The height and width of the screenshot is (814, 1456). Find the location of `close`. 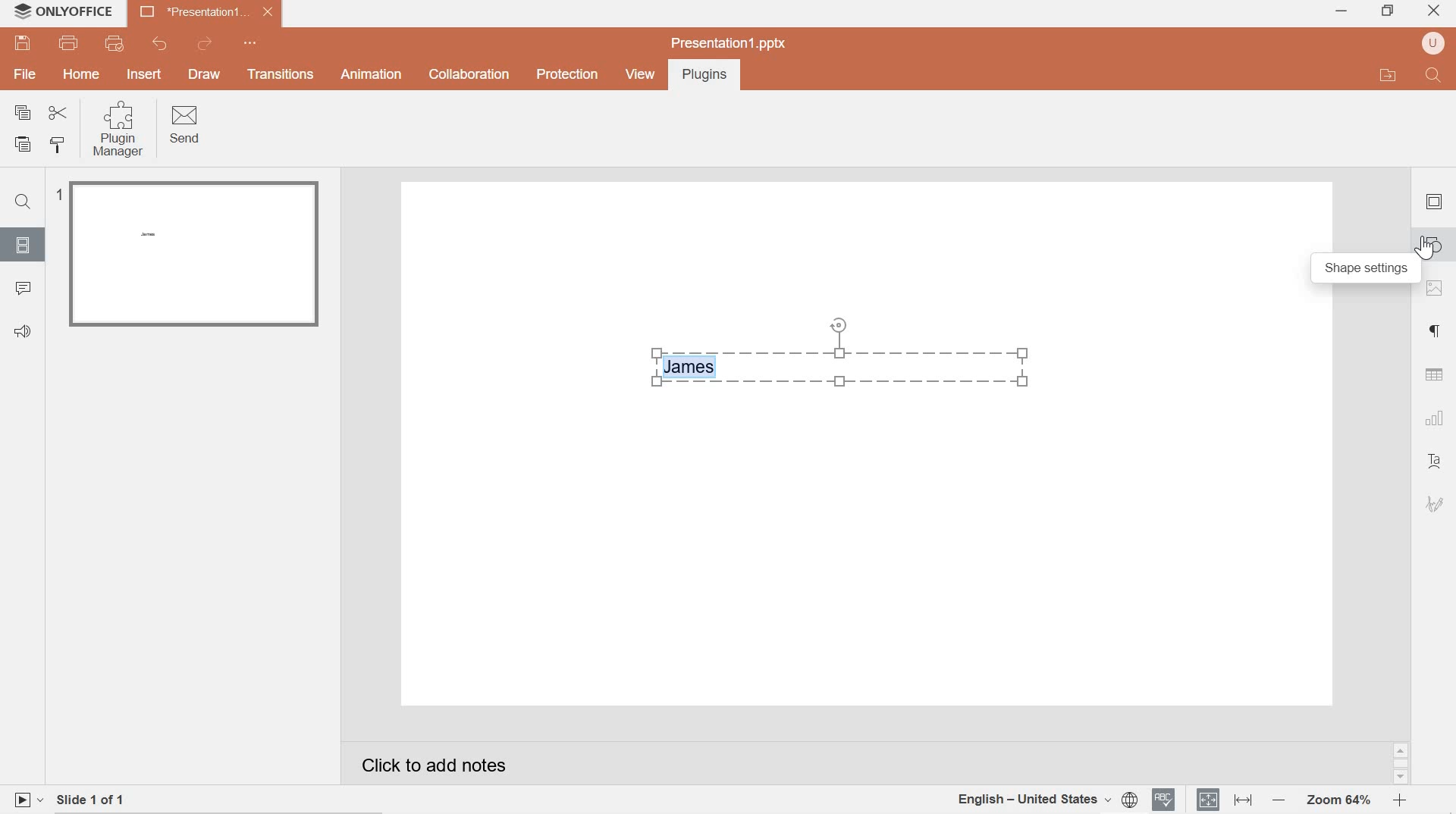

close is located at coordinates (1436, 8).